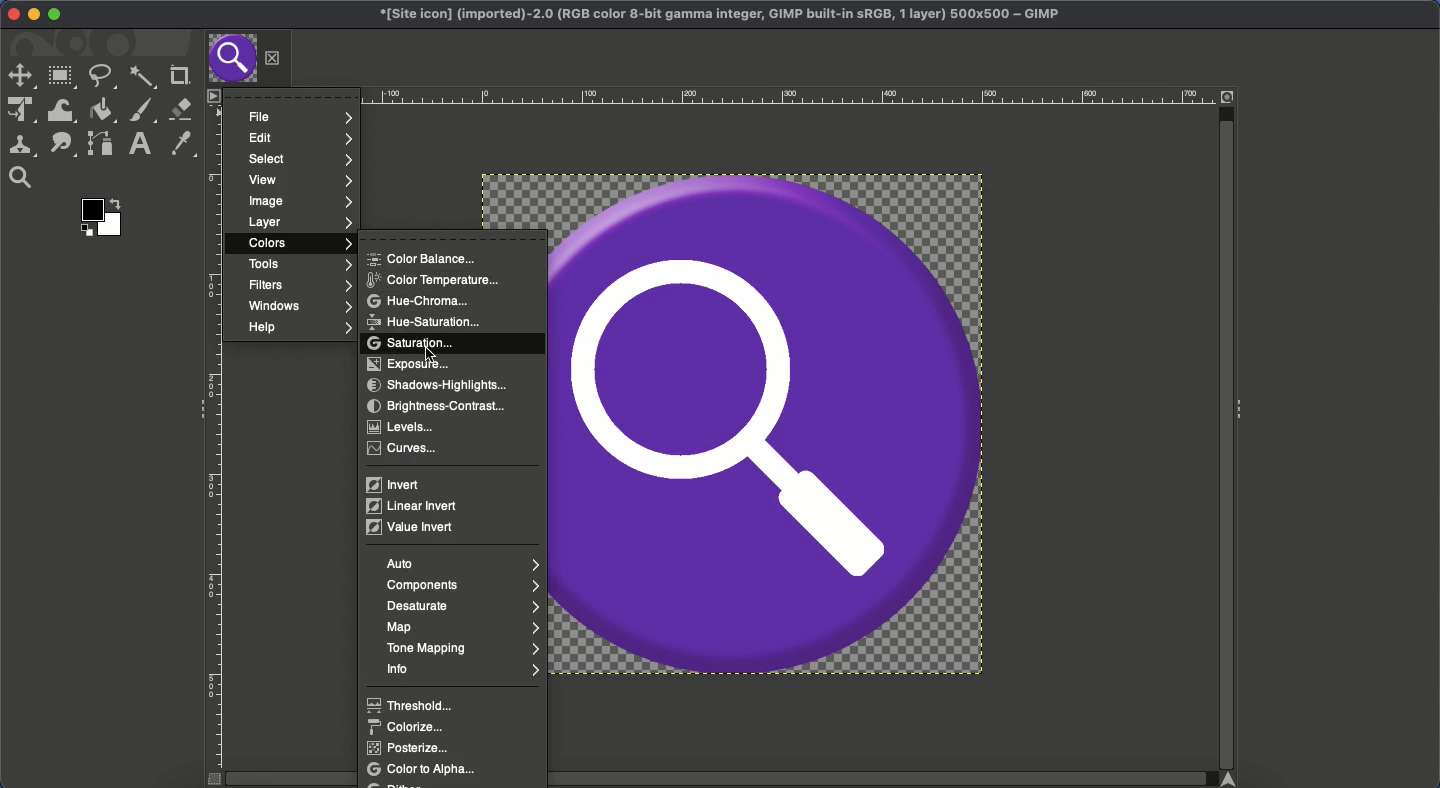 The image size is (1440, 788). Describe the element at coordinates (423, 321) in the screenshot. I see `Hue saturation` at that location.